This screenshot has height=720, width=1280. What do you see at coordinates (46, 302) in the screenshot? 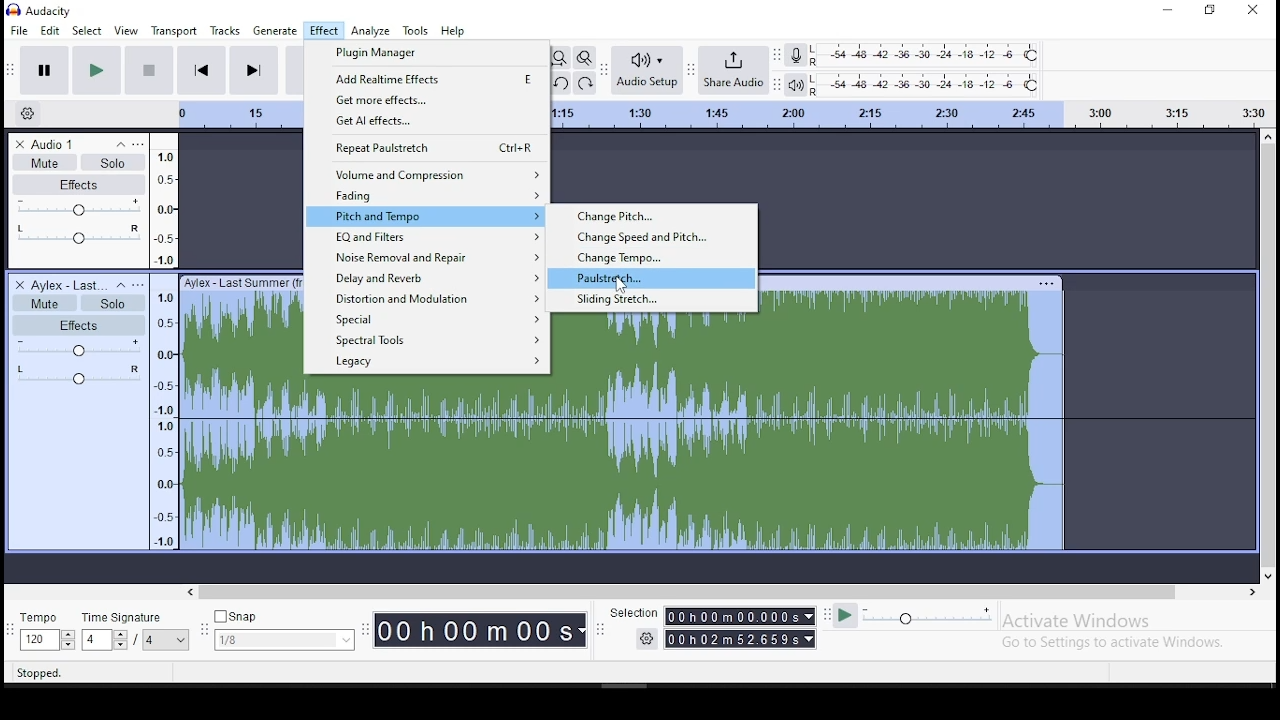
I see `mute/unmute` at bounding box center [46, 302].